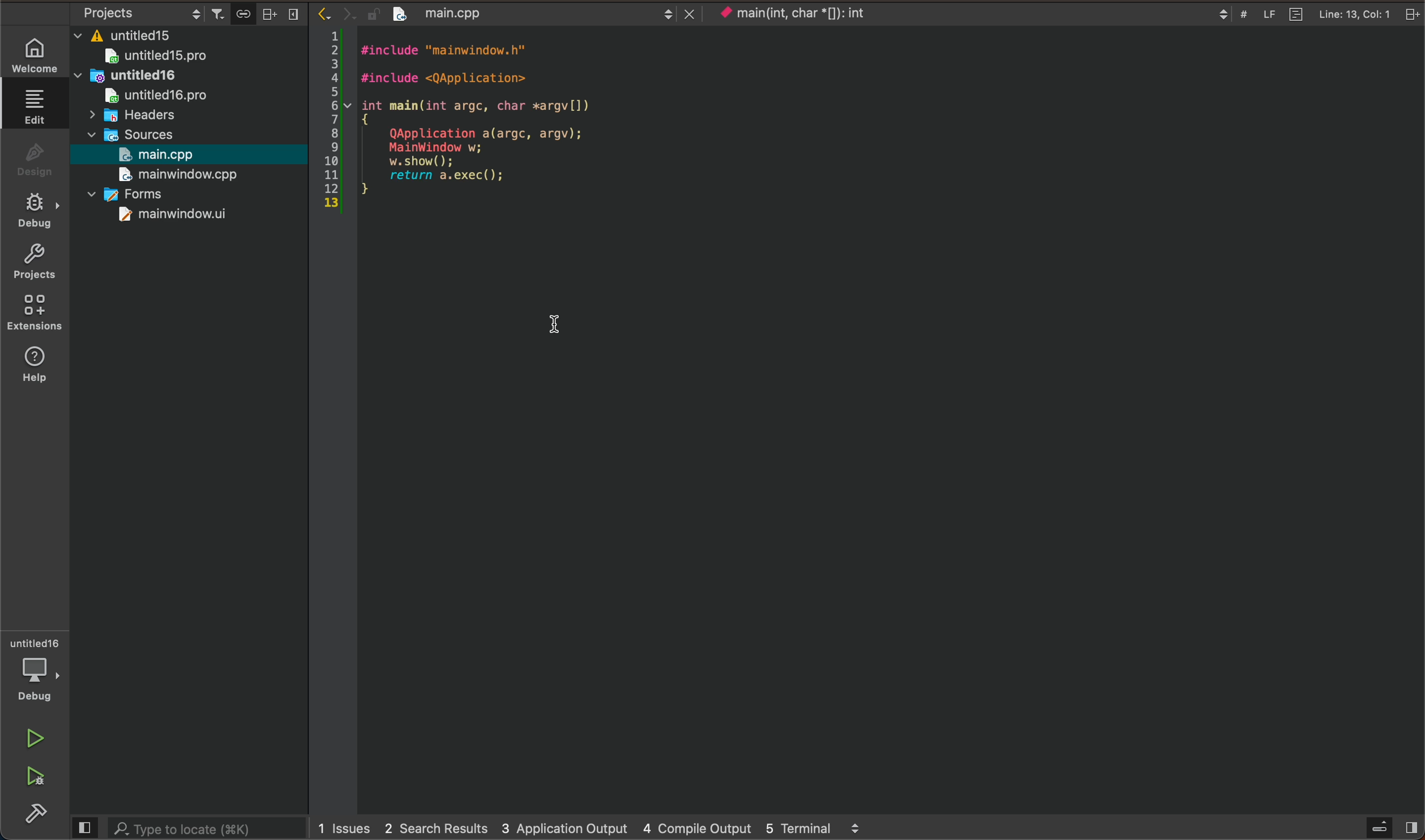 This screenshot has height=840, width=1425. I want to click on arrows, so click(332, 15).